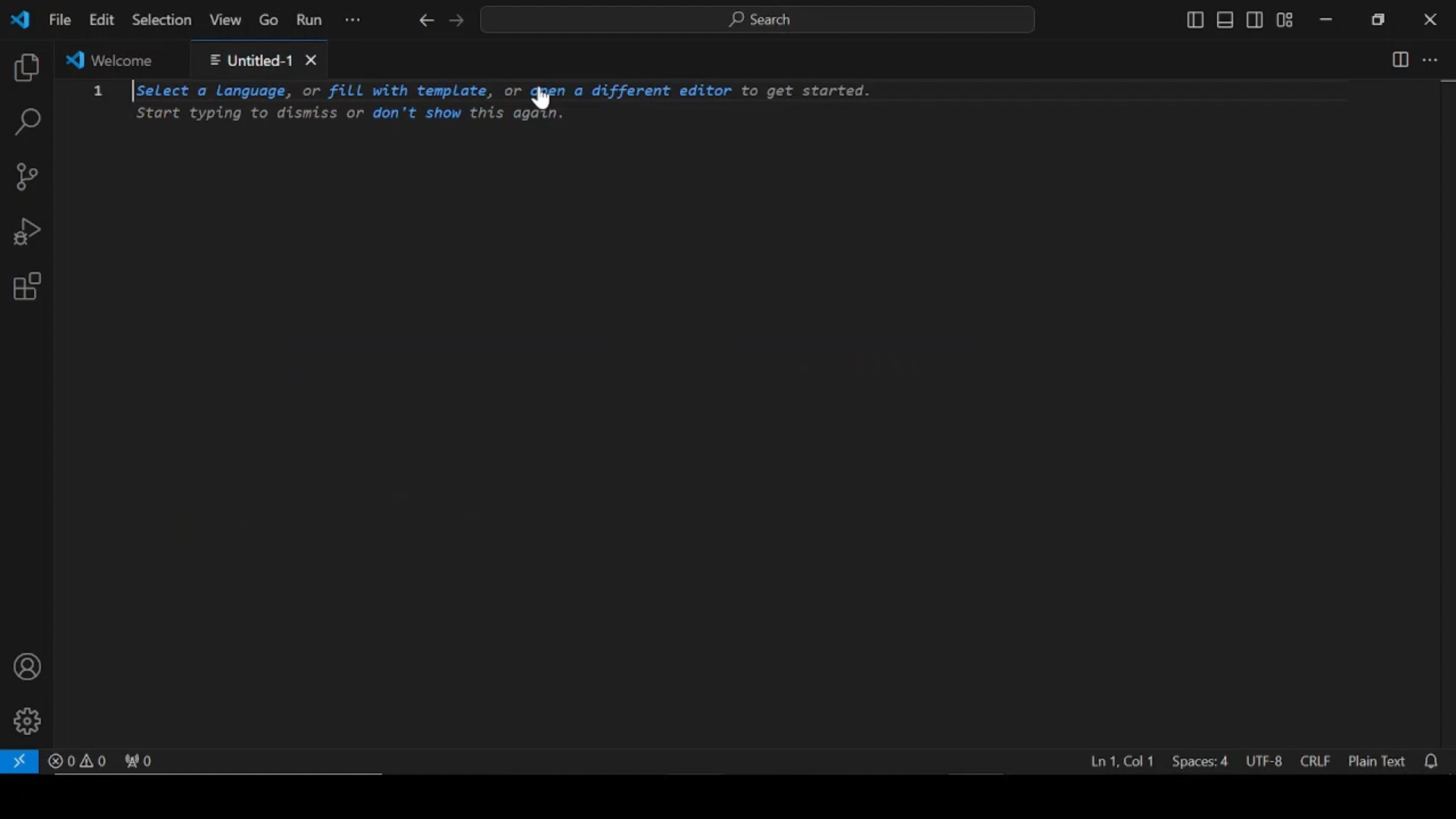  Describe the element at coordinates (541, 101) in the screenshot. I see `cursor` at that location.